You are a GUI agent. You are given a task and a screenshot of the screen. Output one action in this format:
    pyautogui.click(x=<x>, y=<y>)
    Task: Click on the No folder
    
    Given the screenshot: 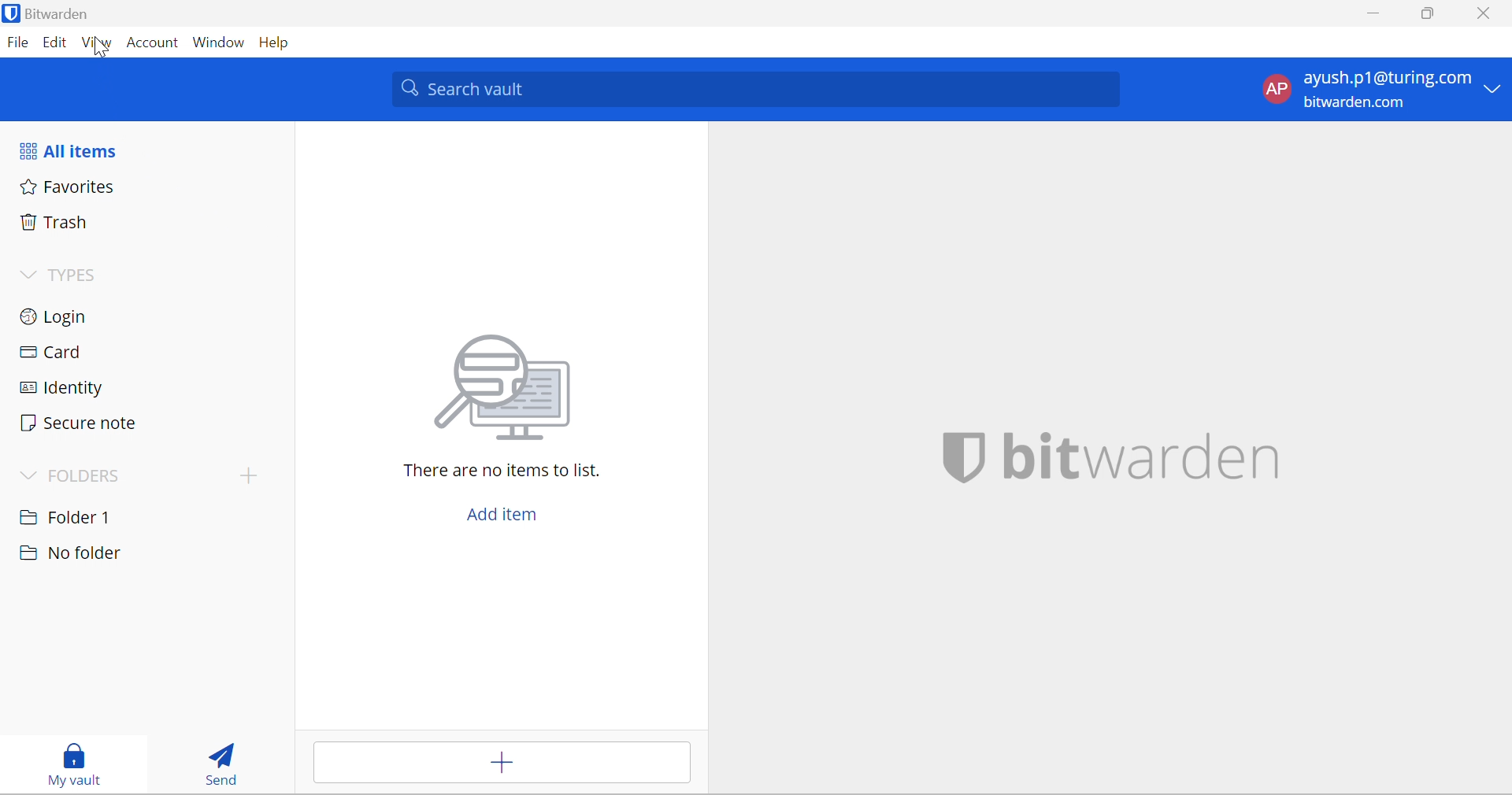 What is the action you would take?
    pyautogui.click(x=72, y=553)
    